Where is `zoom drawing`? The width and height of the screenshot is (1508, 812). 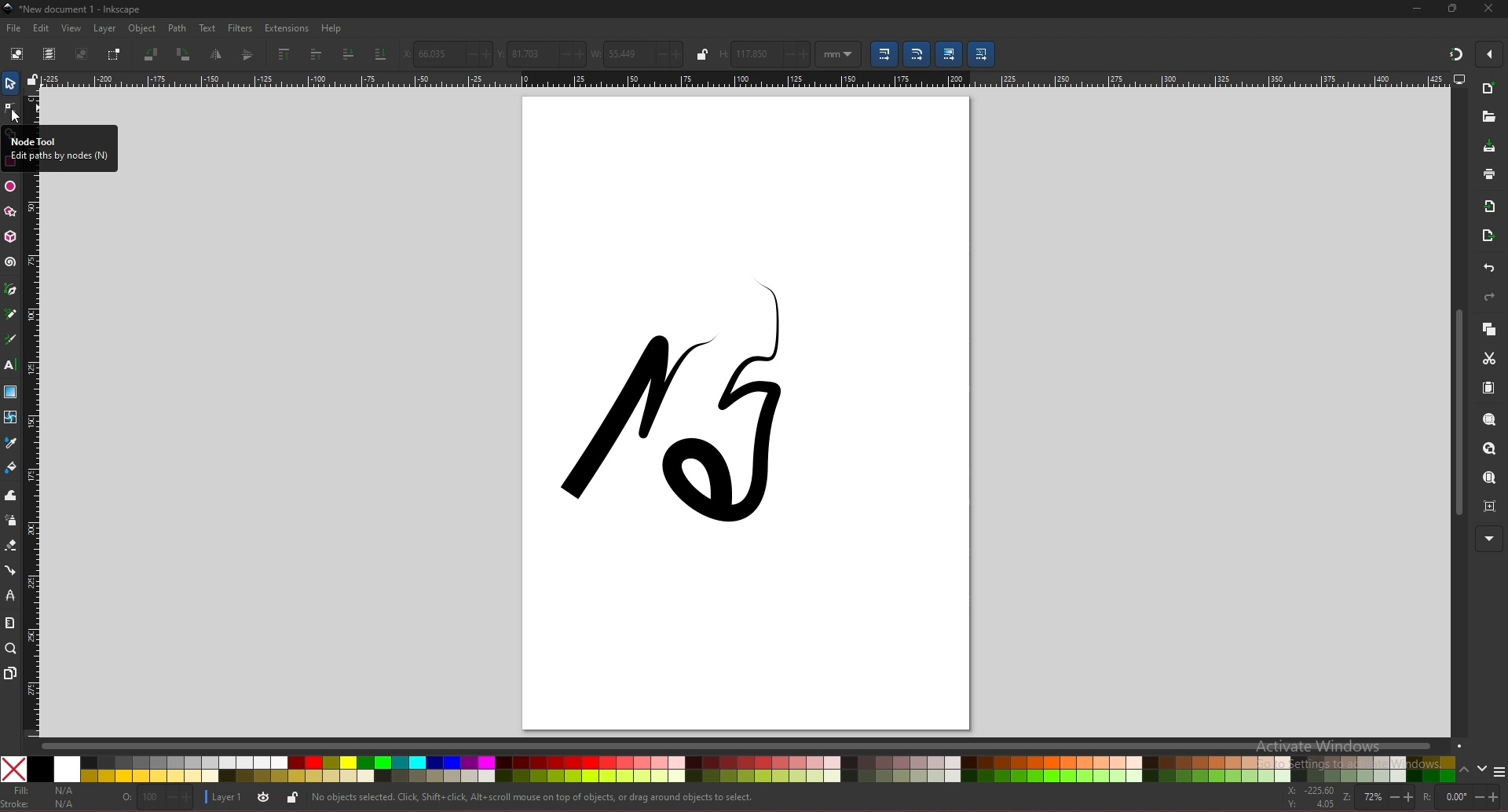
zoom drawing is located at coordinates (1489, 450).